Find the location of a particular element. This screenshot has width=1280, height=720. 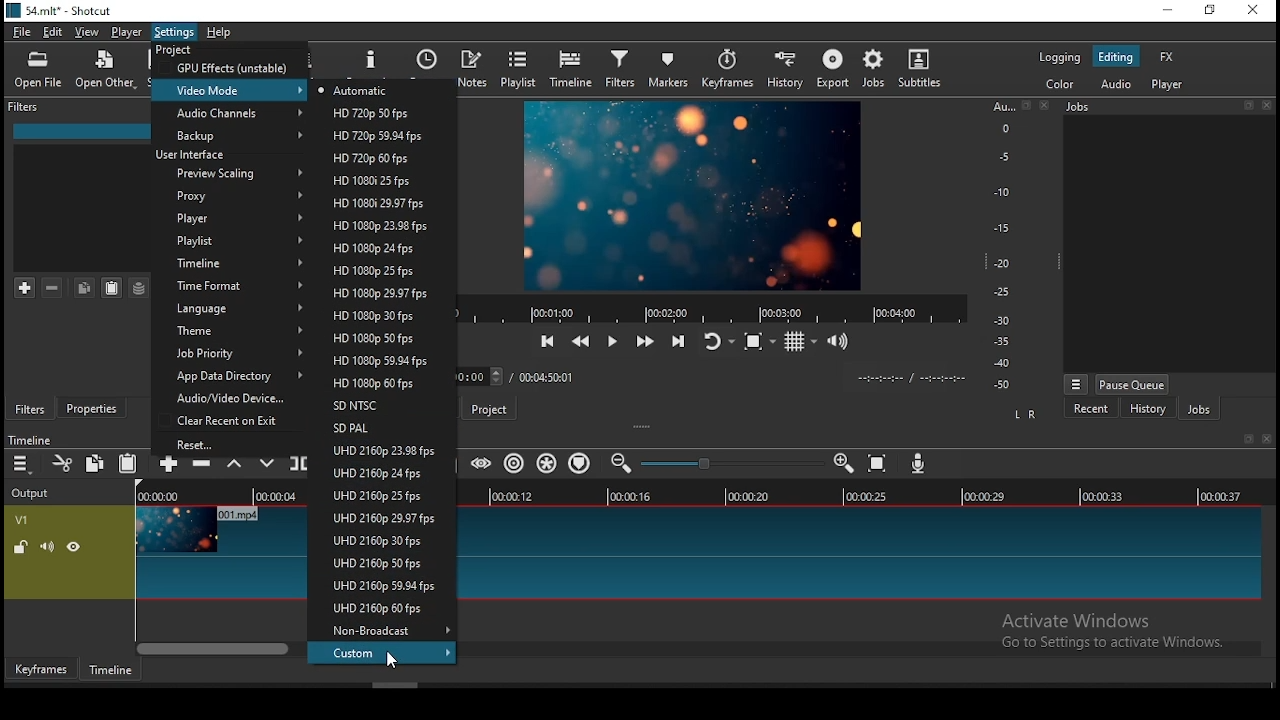

timeline menu is located at coordinates (24, 464).